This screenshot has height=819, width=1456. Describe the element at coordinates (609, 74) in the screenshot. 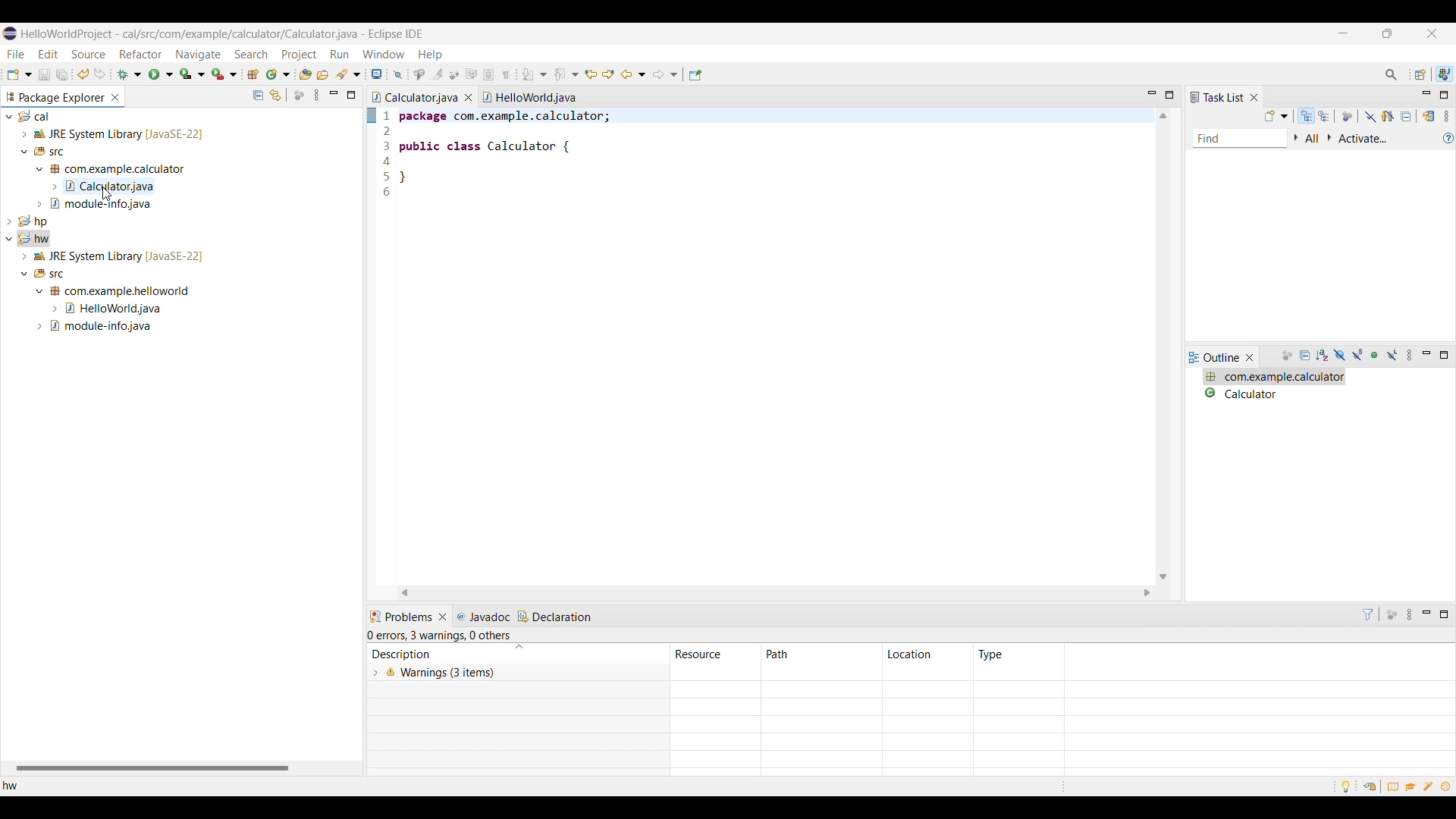

I see `Next edit location` at that location.